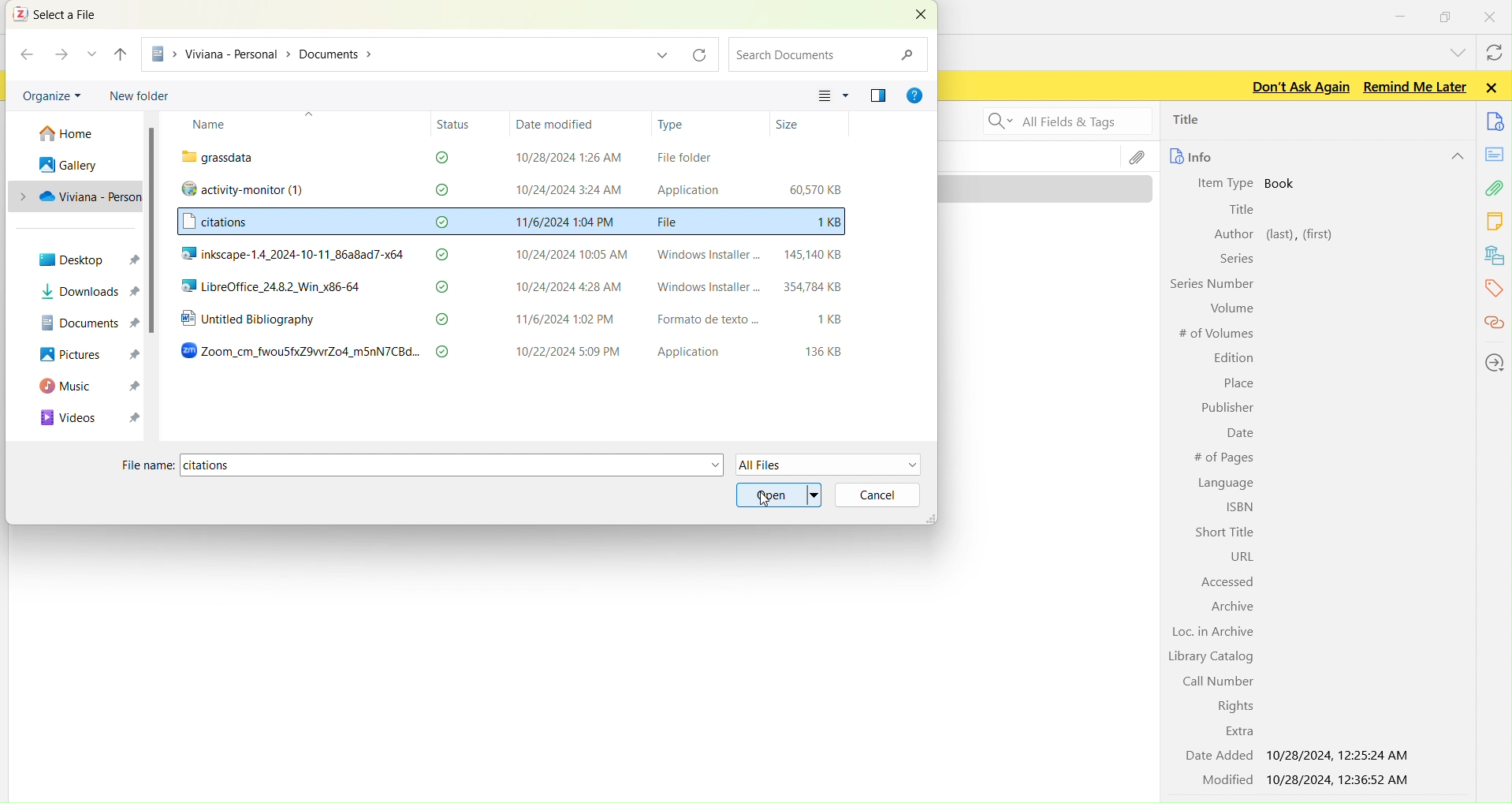 The width and height of the screenshot is (1512, 803). I want to click on list all tabs, so click(1458, 52).